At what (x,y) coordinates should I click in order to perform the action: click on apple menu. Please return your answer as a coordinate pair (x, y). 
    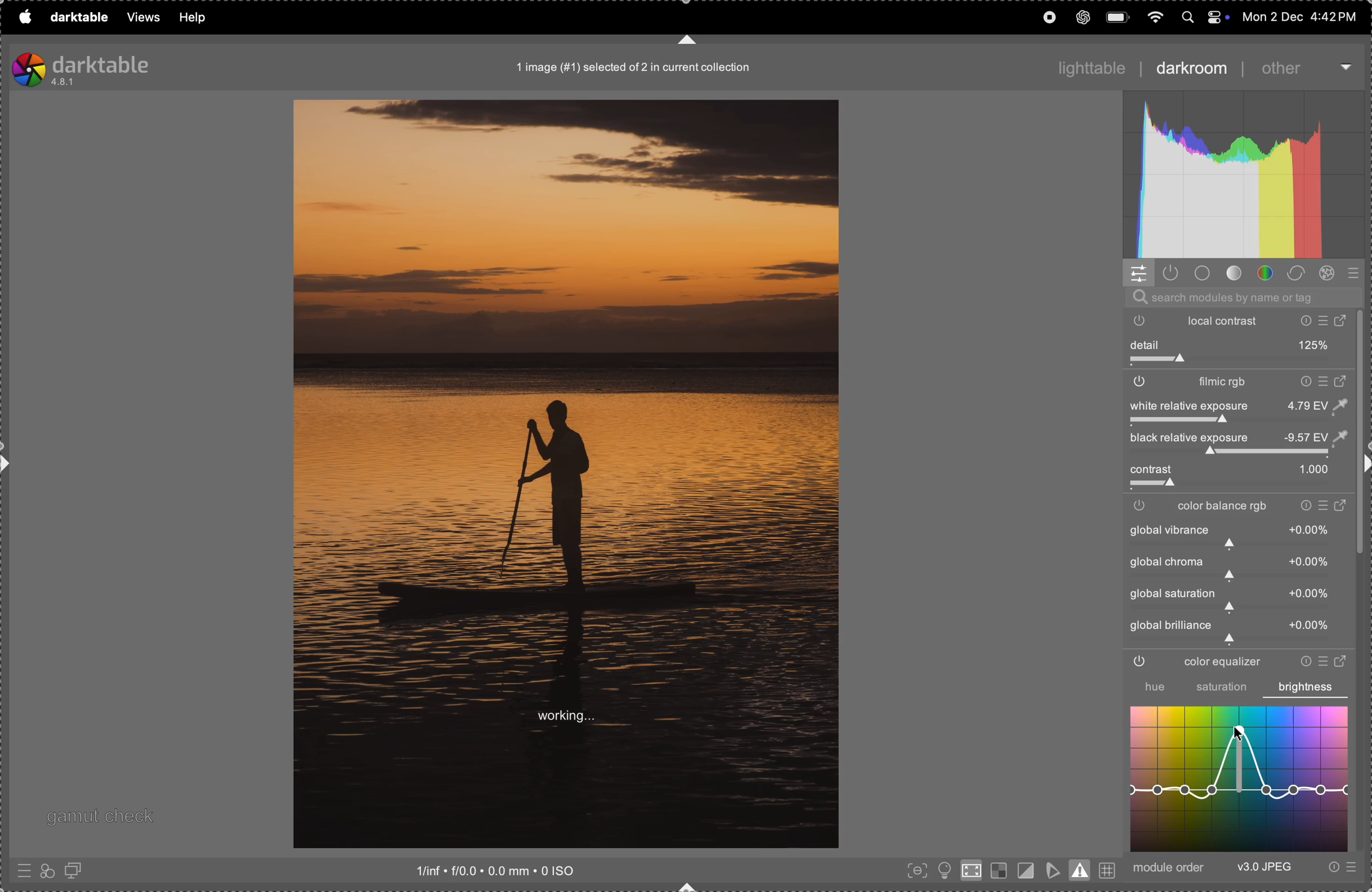
    Looking at the image, I should click on (24, 17).